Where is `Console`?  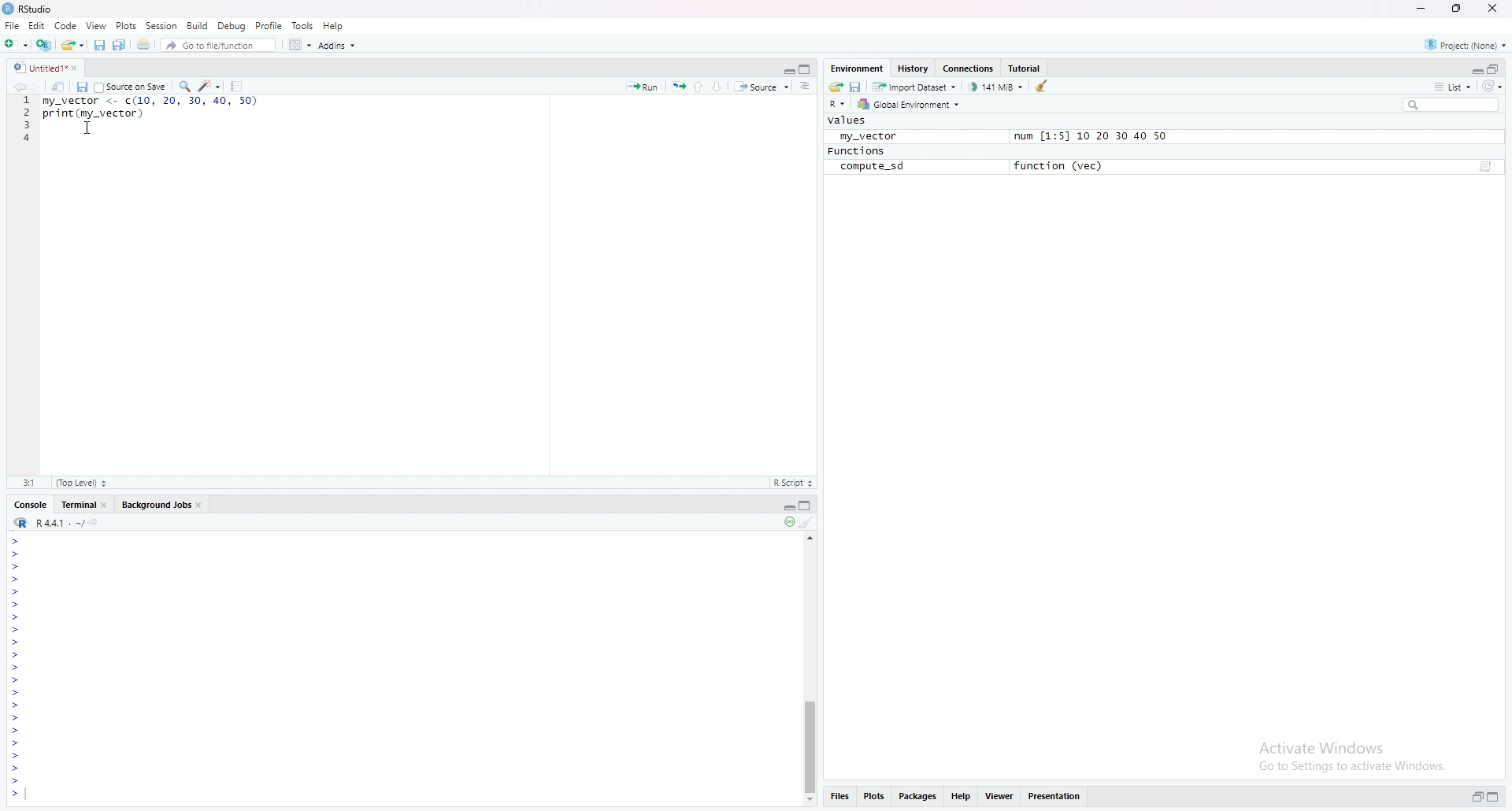 Console is located at coordinates (29, 505).